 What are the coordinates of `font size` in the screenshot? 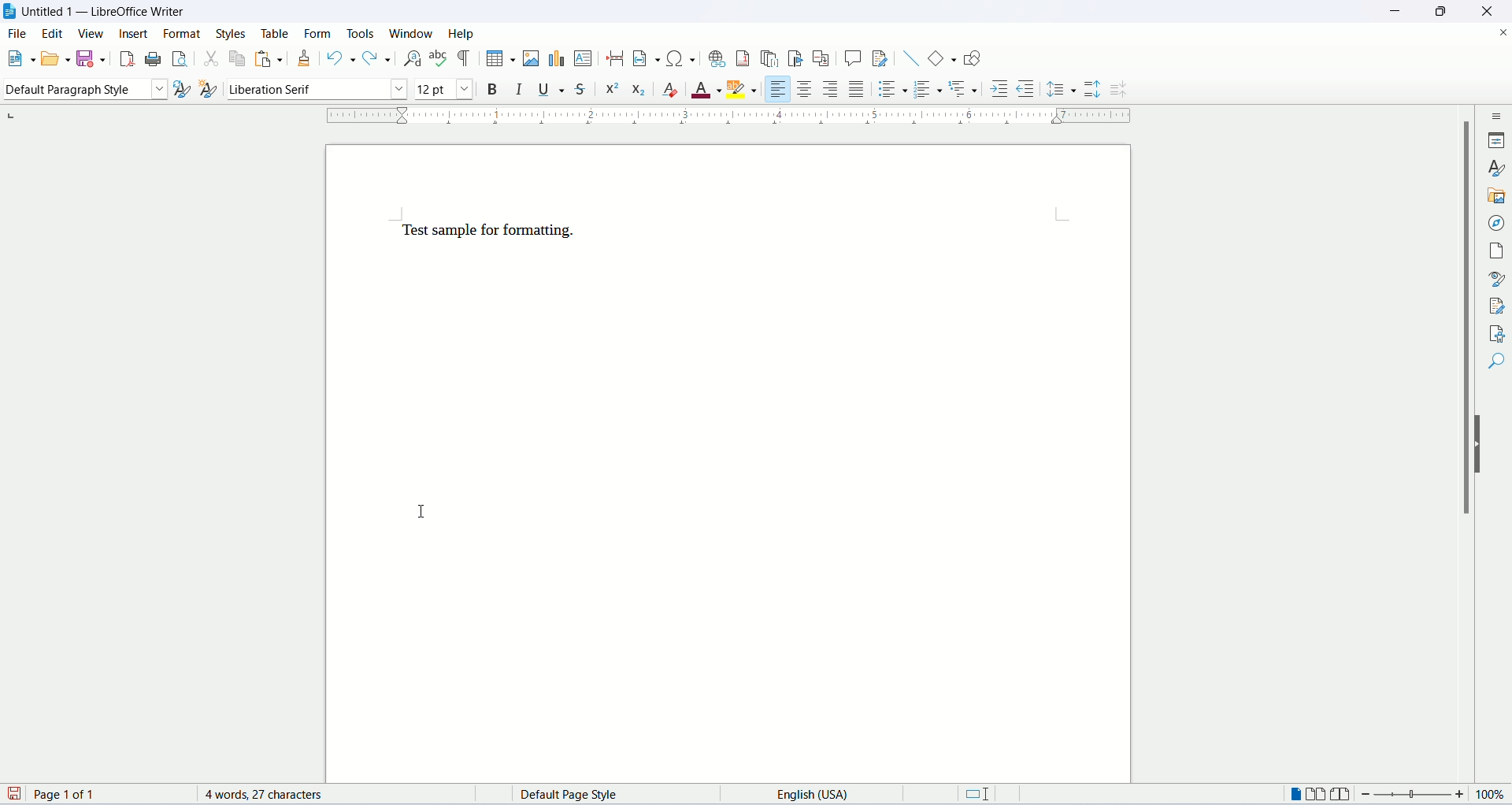 It's located at (443, 89).